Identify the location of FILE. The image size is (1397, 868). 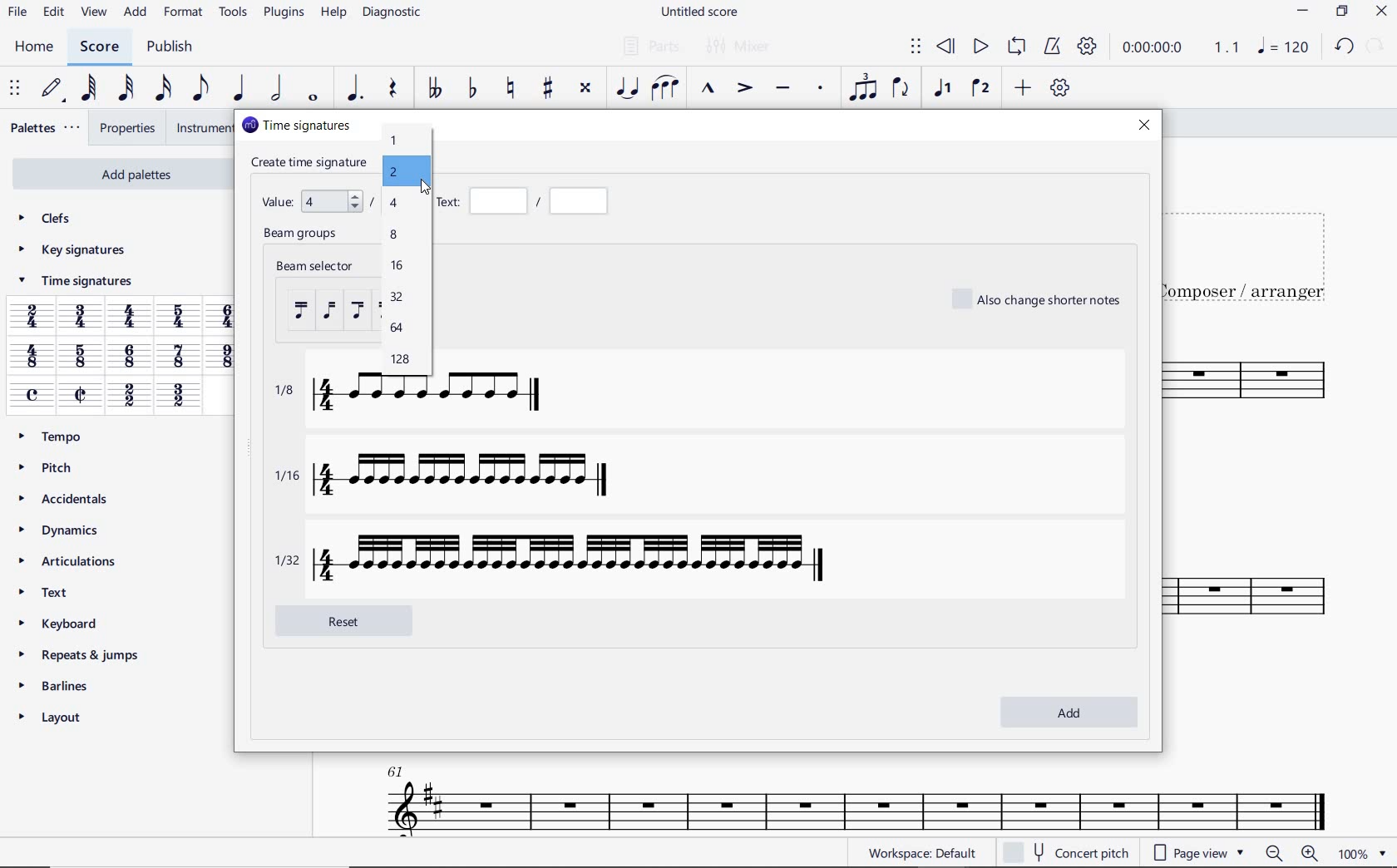
(17, 13).